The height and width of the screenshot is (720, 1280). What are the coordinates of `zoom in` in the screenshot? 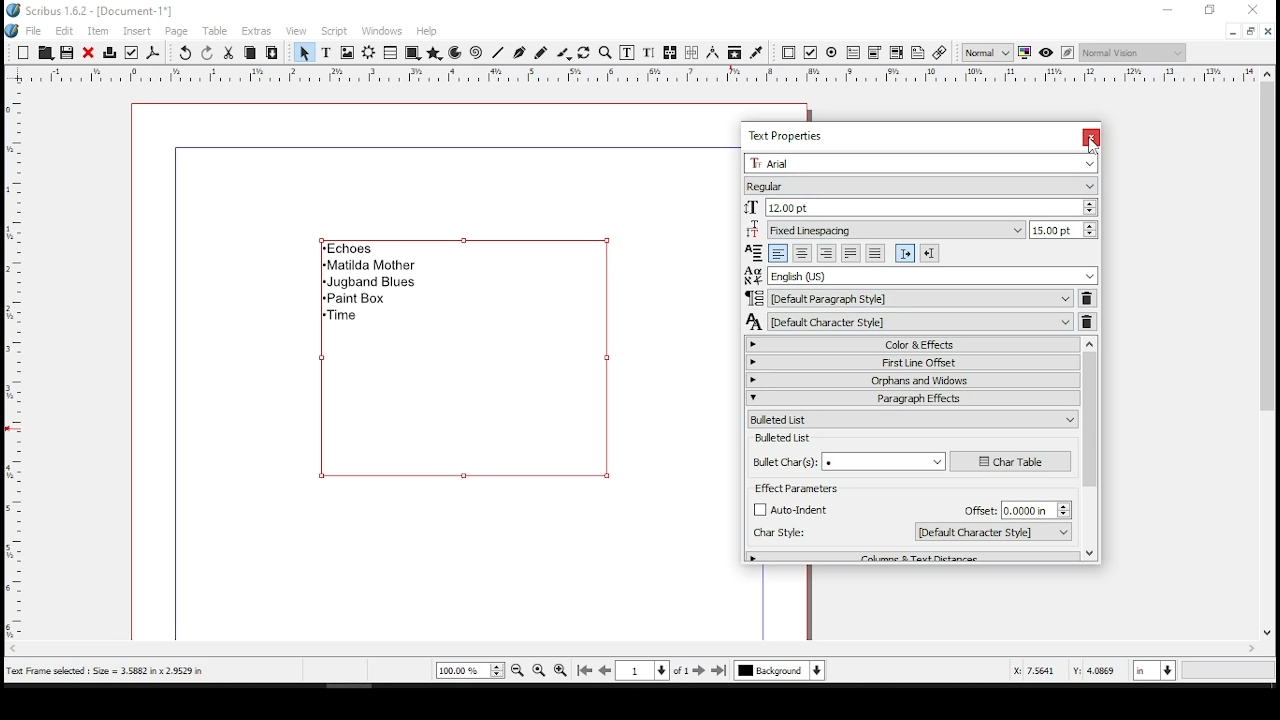 It's located at (559, 672).